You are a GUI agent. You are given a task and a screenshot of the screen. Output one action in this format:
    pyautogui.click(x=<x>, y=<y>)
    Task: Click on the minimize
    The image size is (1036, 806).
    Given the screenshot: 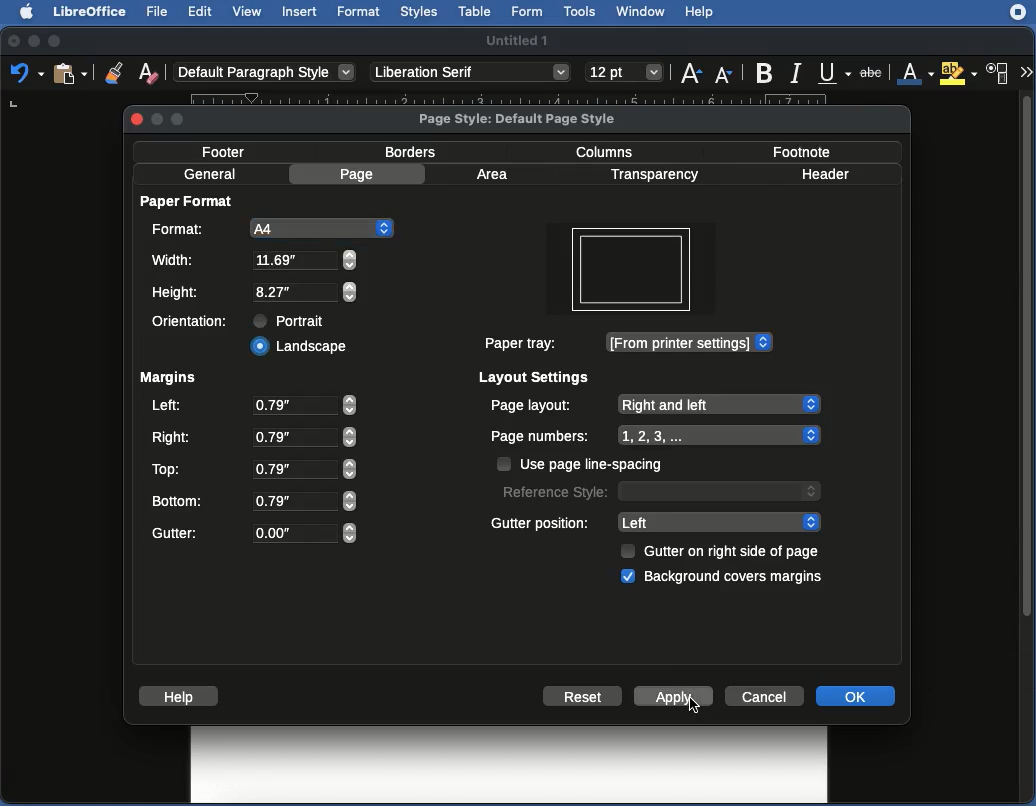 What is the action you would take?
    pyautogui.click(x=156, y=121)
    